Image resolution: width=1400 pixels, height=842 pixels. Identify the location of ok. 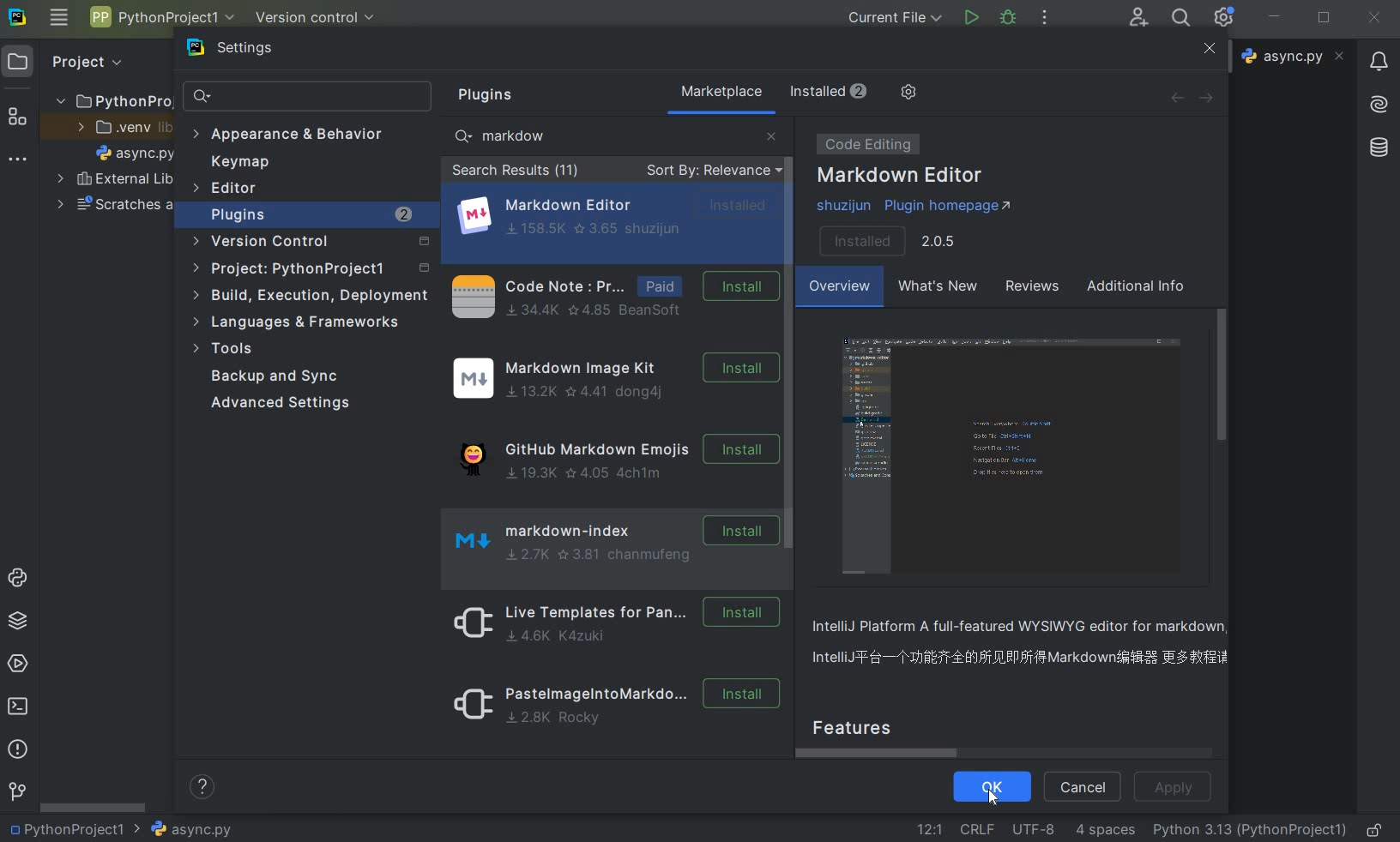
(993, 785).